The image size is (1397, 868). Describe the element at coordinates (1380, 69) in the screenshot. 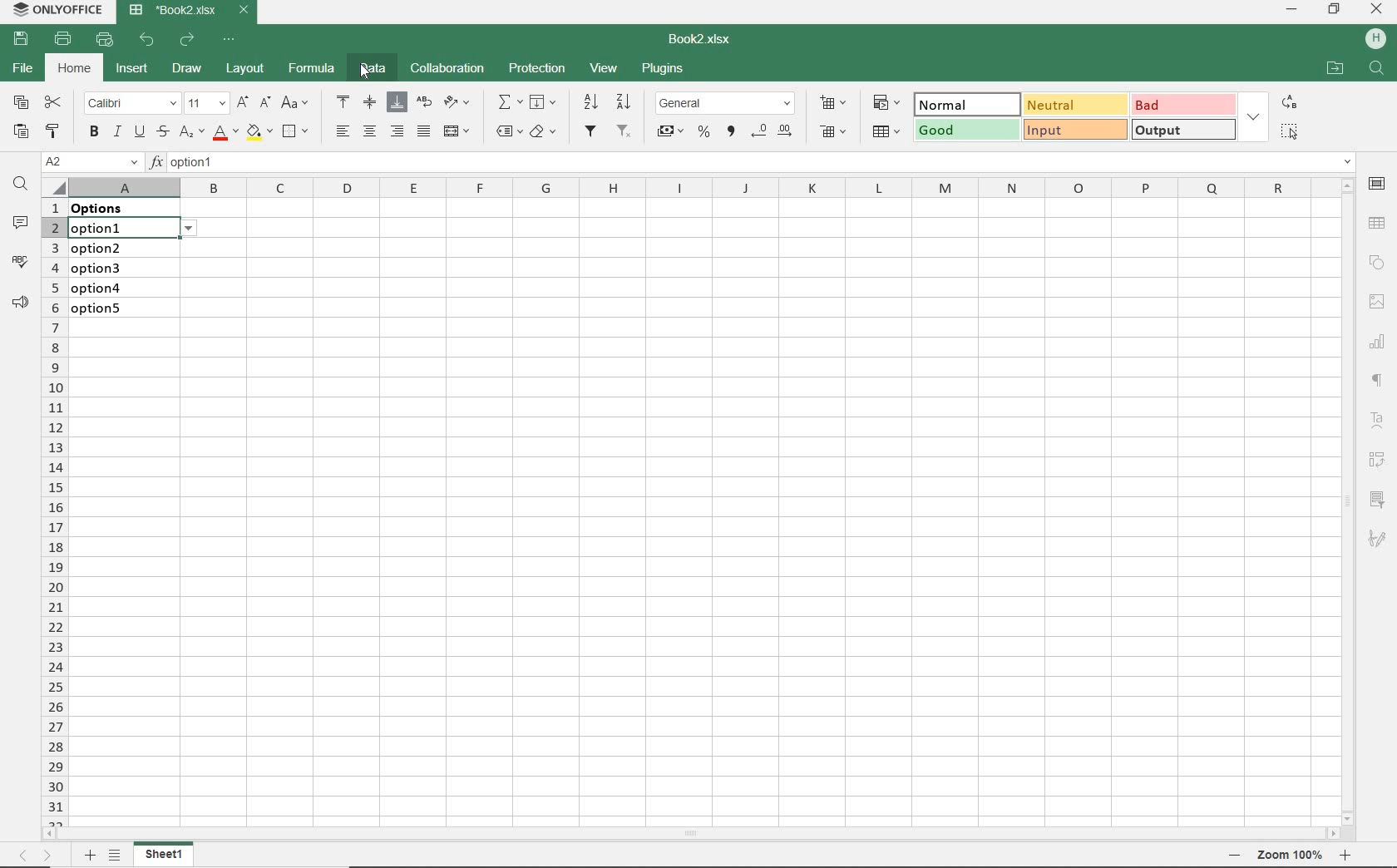

I see `FIND` at that location.